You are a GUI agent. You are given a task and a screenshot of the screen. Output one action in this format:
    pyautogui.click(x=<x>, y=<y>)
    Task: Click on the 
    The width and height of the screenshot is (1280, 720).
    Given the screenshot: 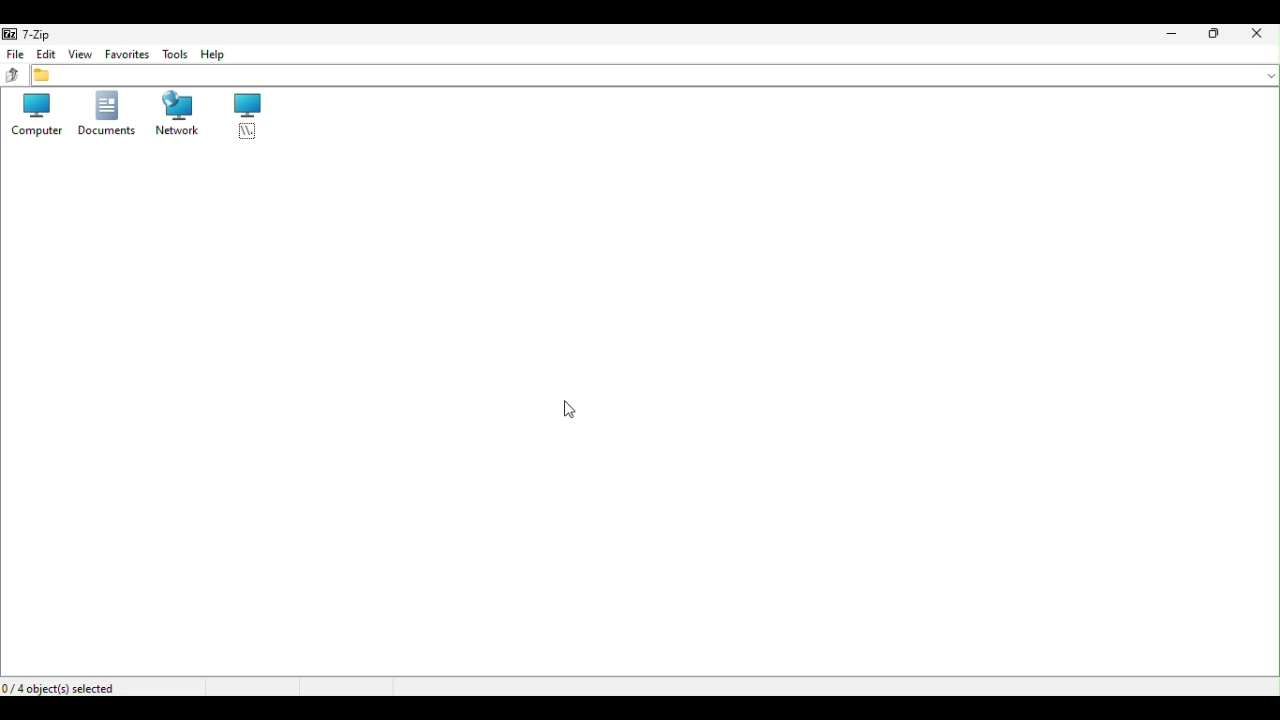 What is the action you would take?
    pyautogui.click(x=216, y=55)
    